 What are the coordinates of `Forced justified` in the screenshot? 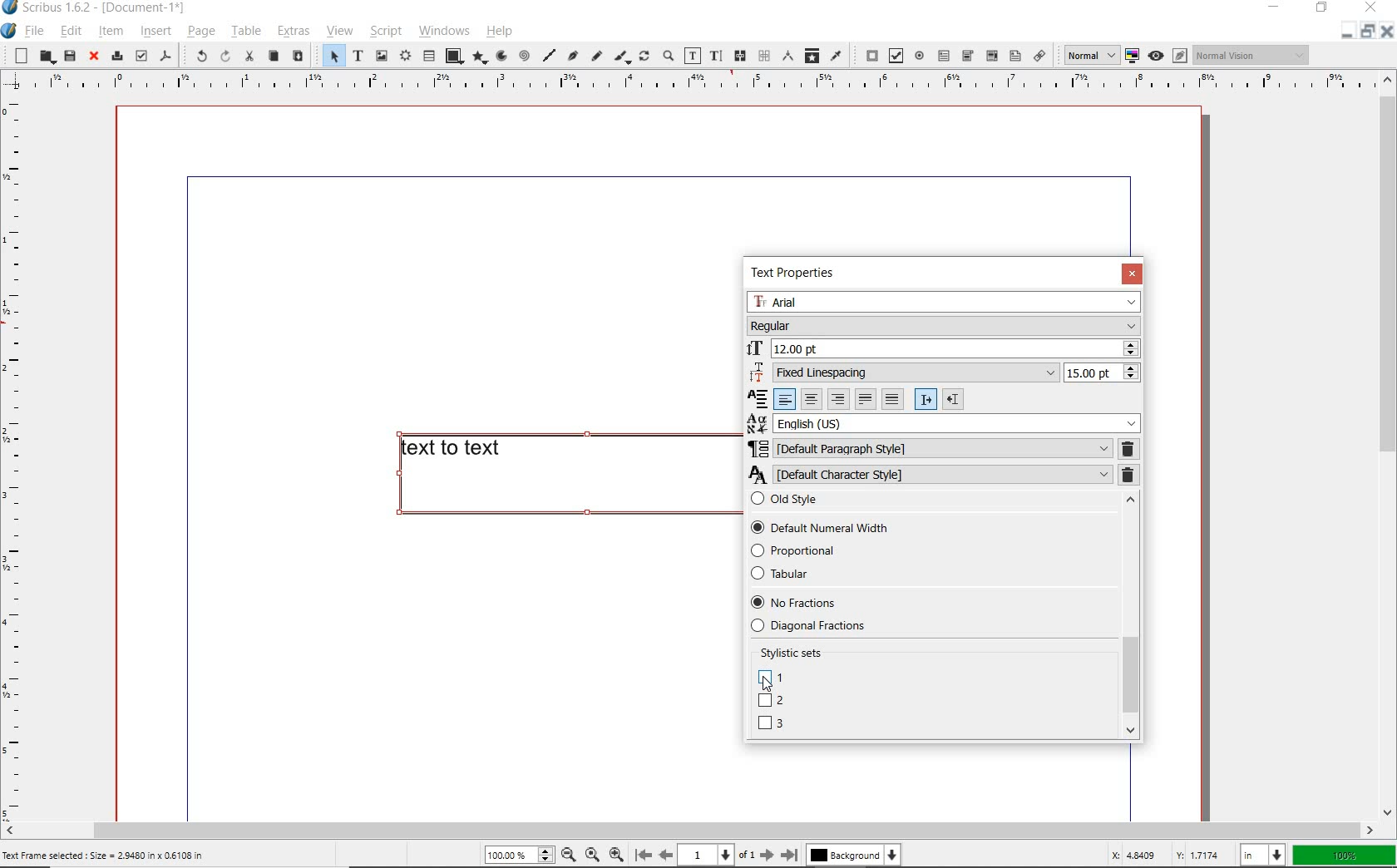 It's located at (894, 398).